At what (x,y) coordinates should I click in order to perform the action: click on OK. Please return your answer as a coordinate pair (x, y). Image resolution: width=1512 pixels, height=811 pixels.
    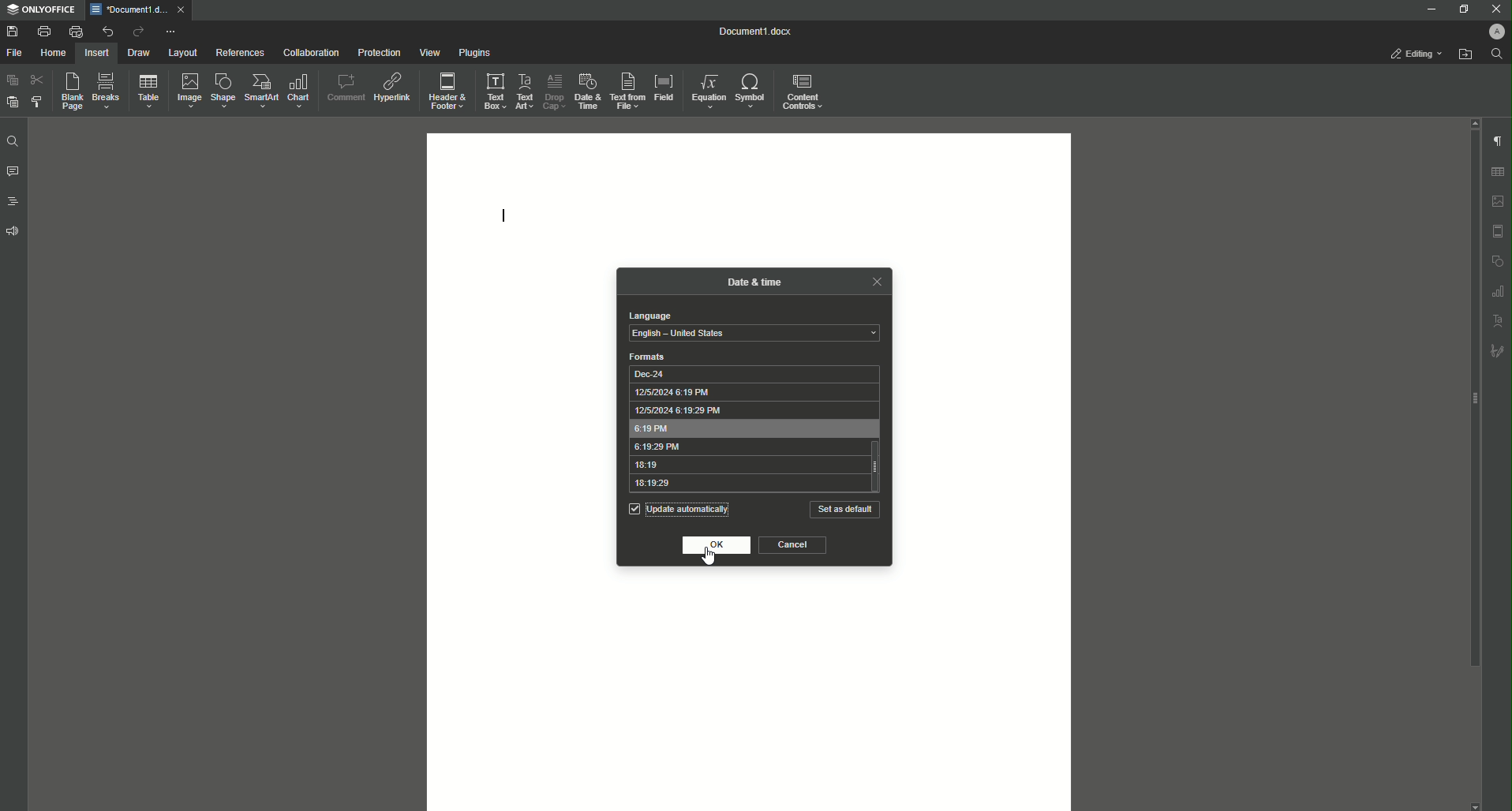
    Looking at the image, I should click on (718, 546).